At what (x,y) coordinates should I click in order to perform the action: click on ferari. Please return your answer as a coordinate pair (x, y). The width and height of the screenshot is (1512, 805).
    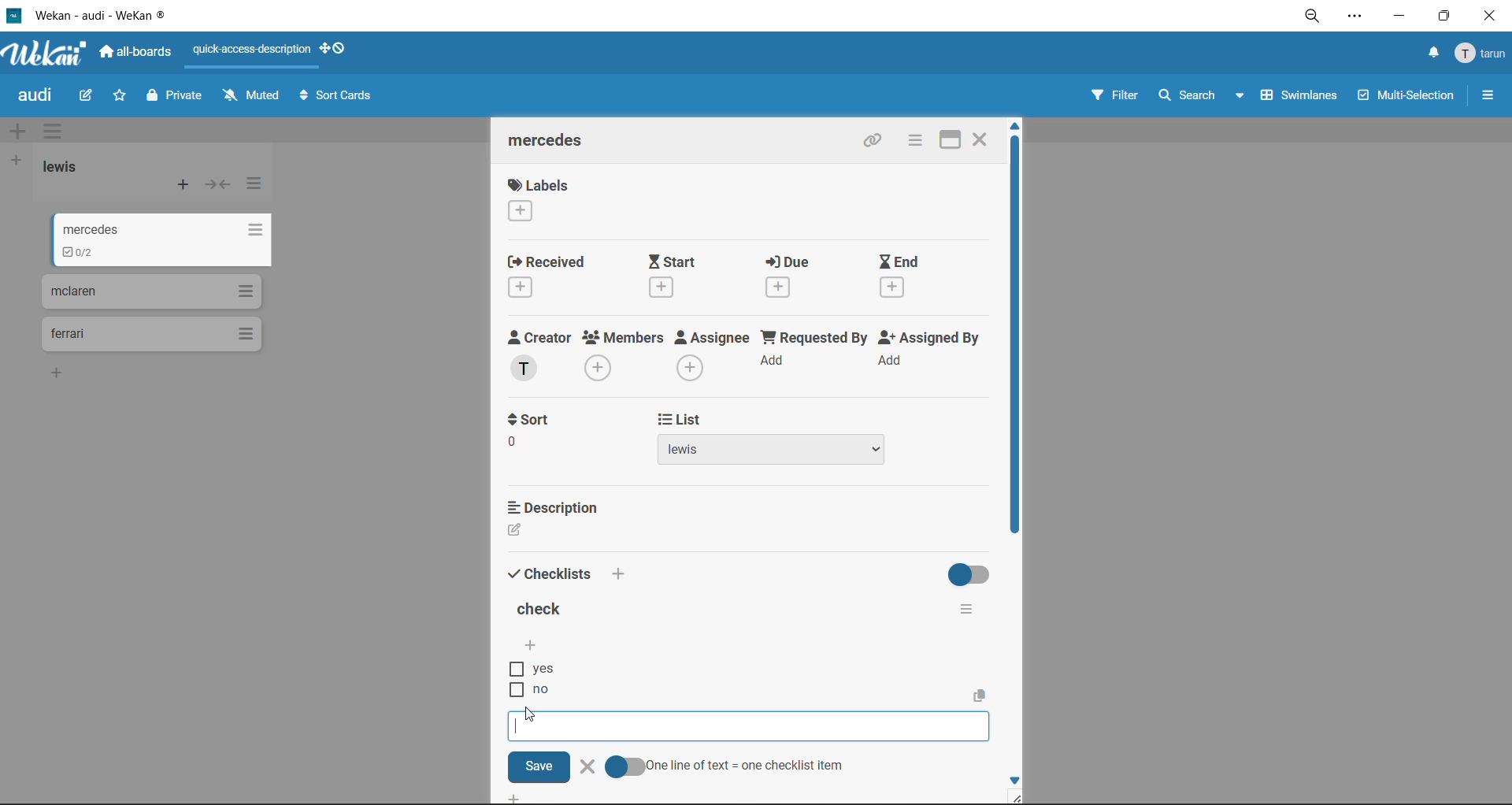
    Looking at the image, I should click on (69, 335).